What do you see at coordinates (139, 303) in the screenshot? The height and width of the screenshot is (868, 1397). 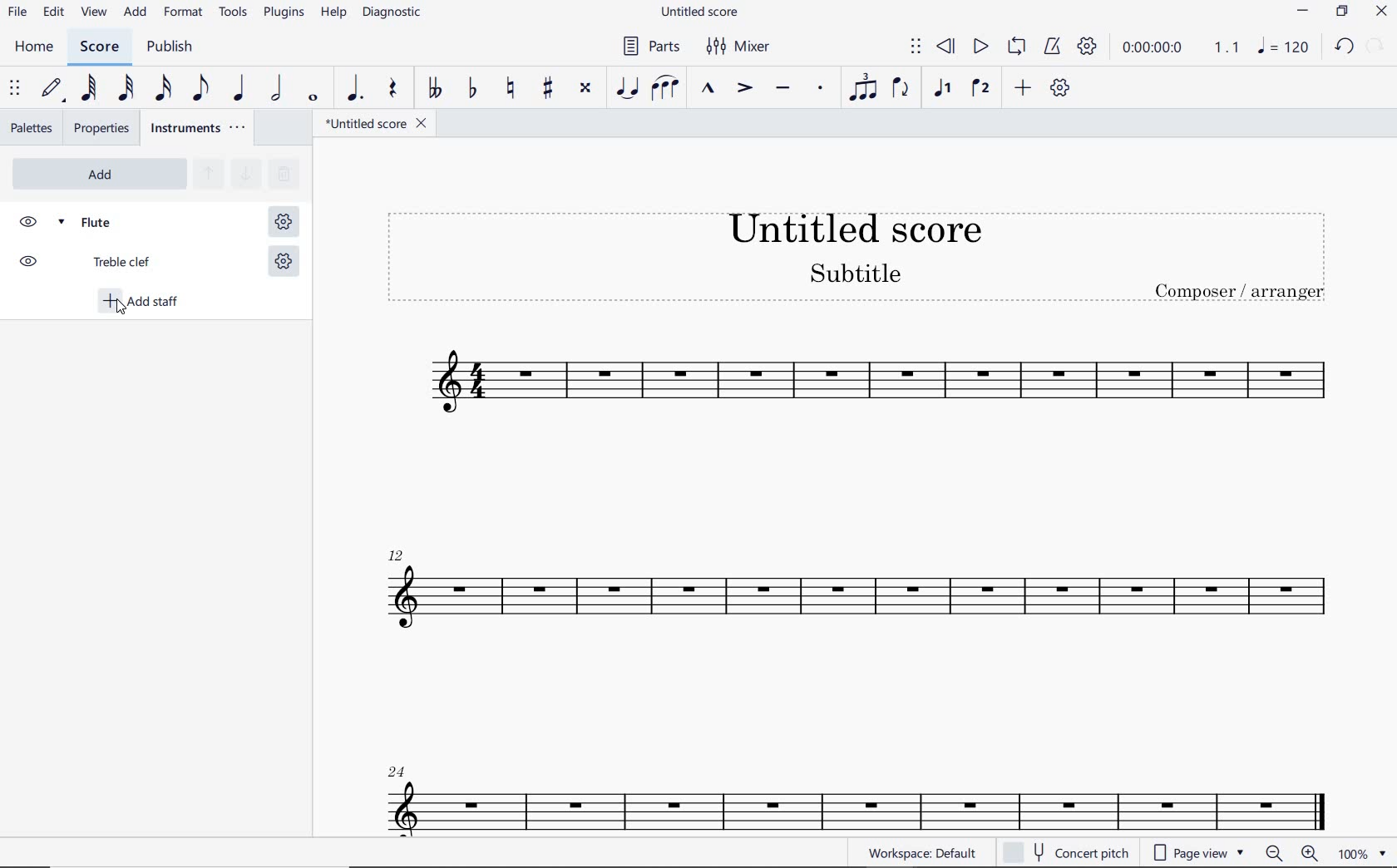 I see `ADD STAFF` at bounding box center [139, 303].